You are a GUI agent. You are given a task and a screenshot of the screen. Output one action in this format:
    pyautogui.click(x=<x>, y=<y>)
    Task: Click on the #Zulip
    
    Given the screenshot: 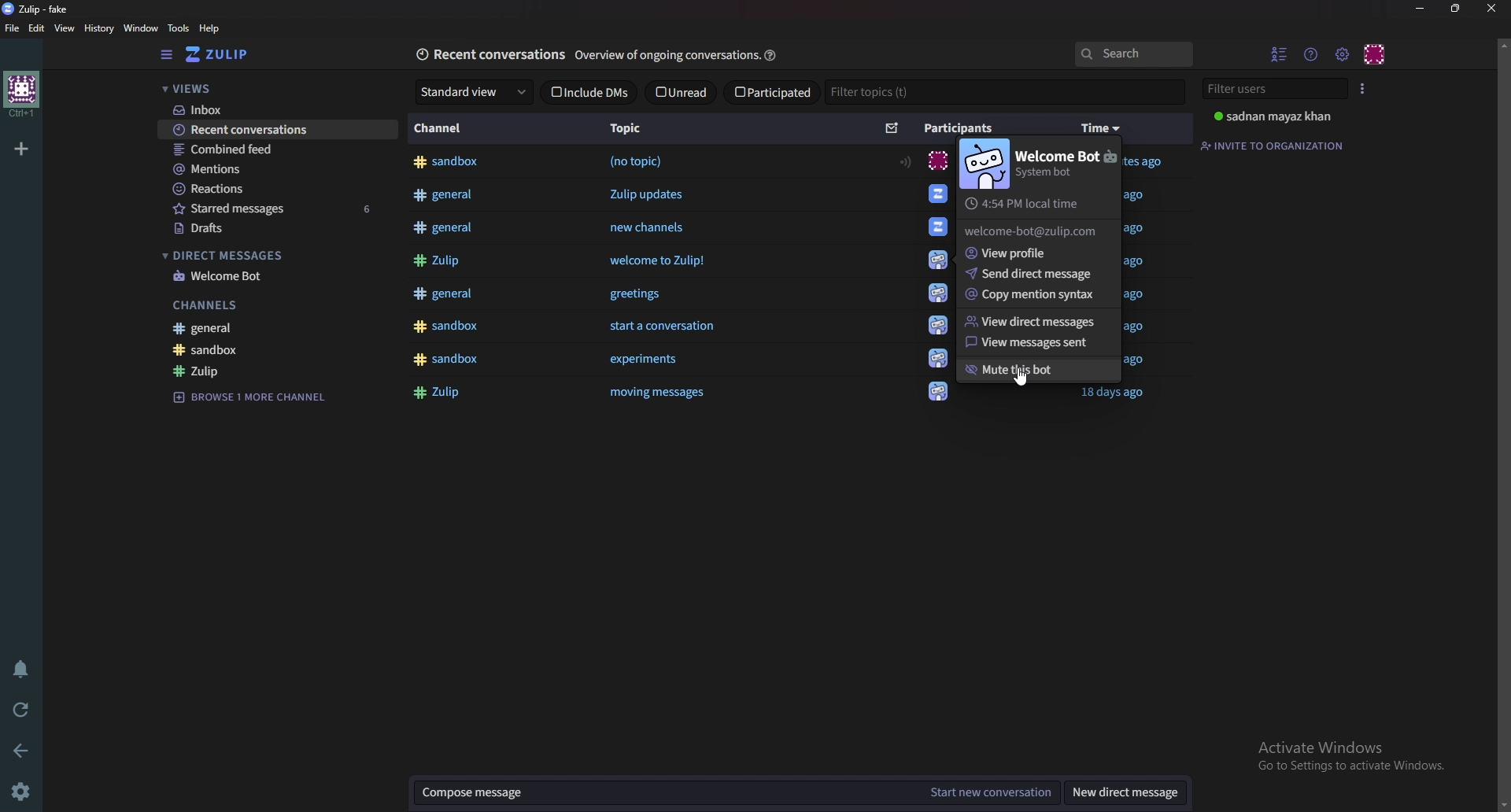 What is the action you would take?
    pyautogui.click(x=441, y=393)
    